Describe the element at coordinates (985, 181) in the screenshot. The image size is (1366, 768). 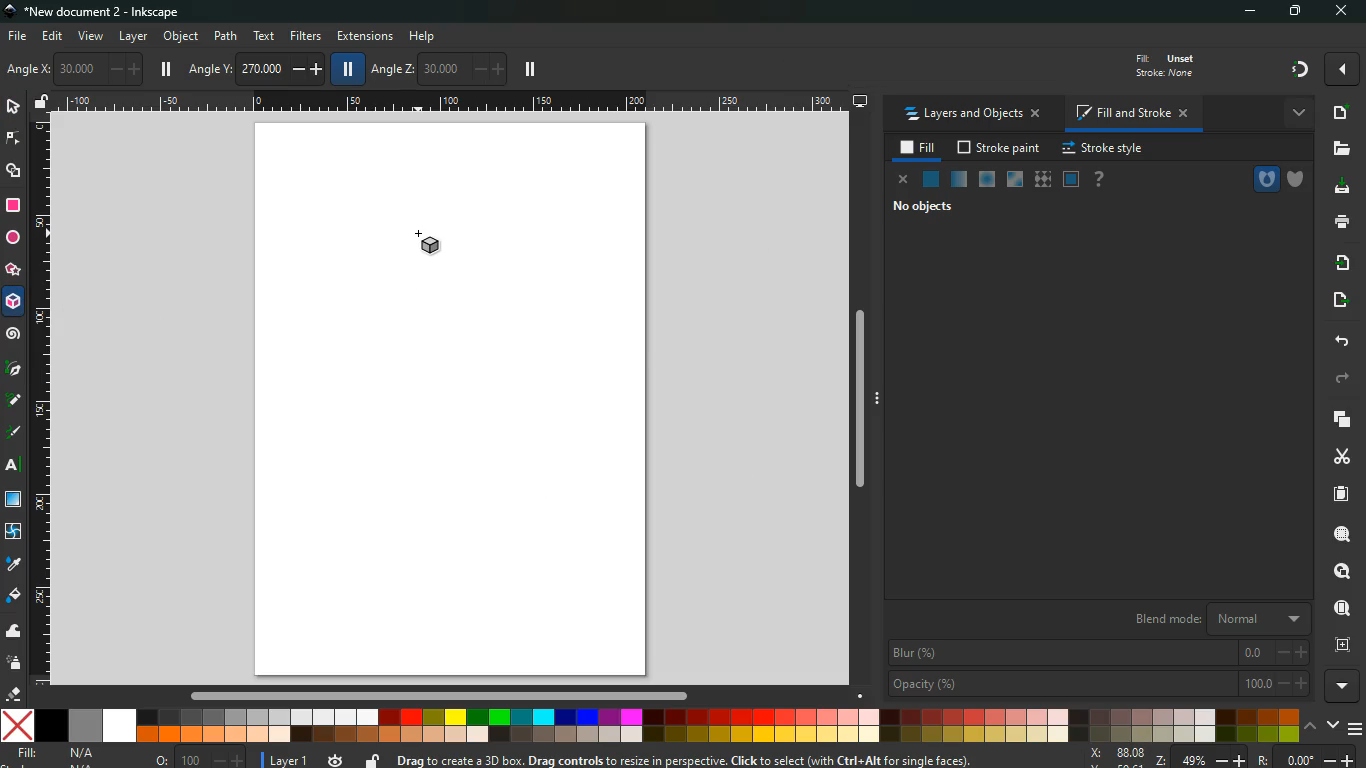
I see `ice` at that location.